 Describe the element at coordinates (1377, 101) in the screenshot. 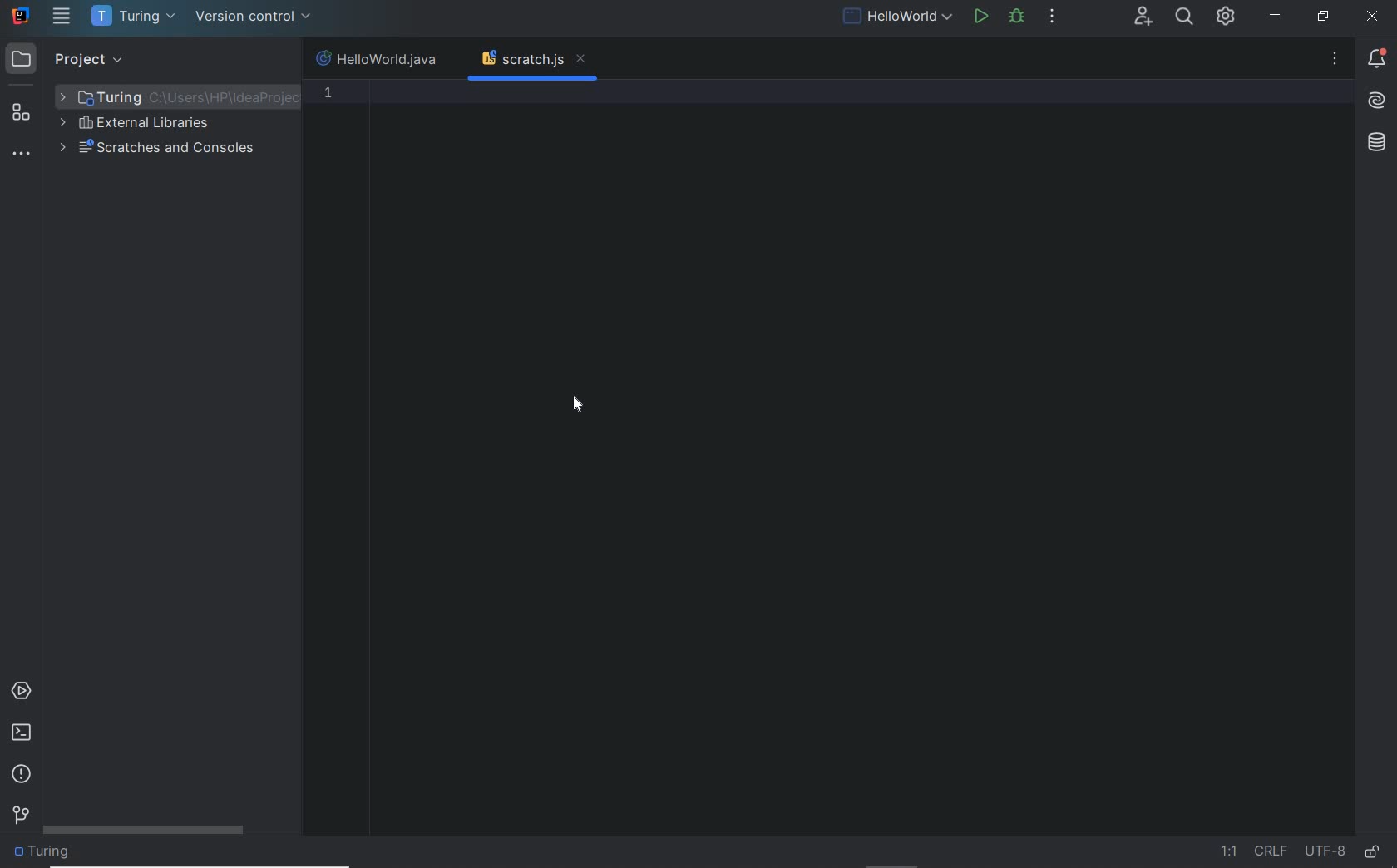

I see `AI Assistant` at that location.